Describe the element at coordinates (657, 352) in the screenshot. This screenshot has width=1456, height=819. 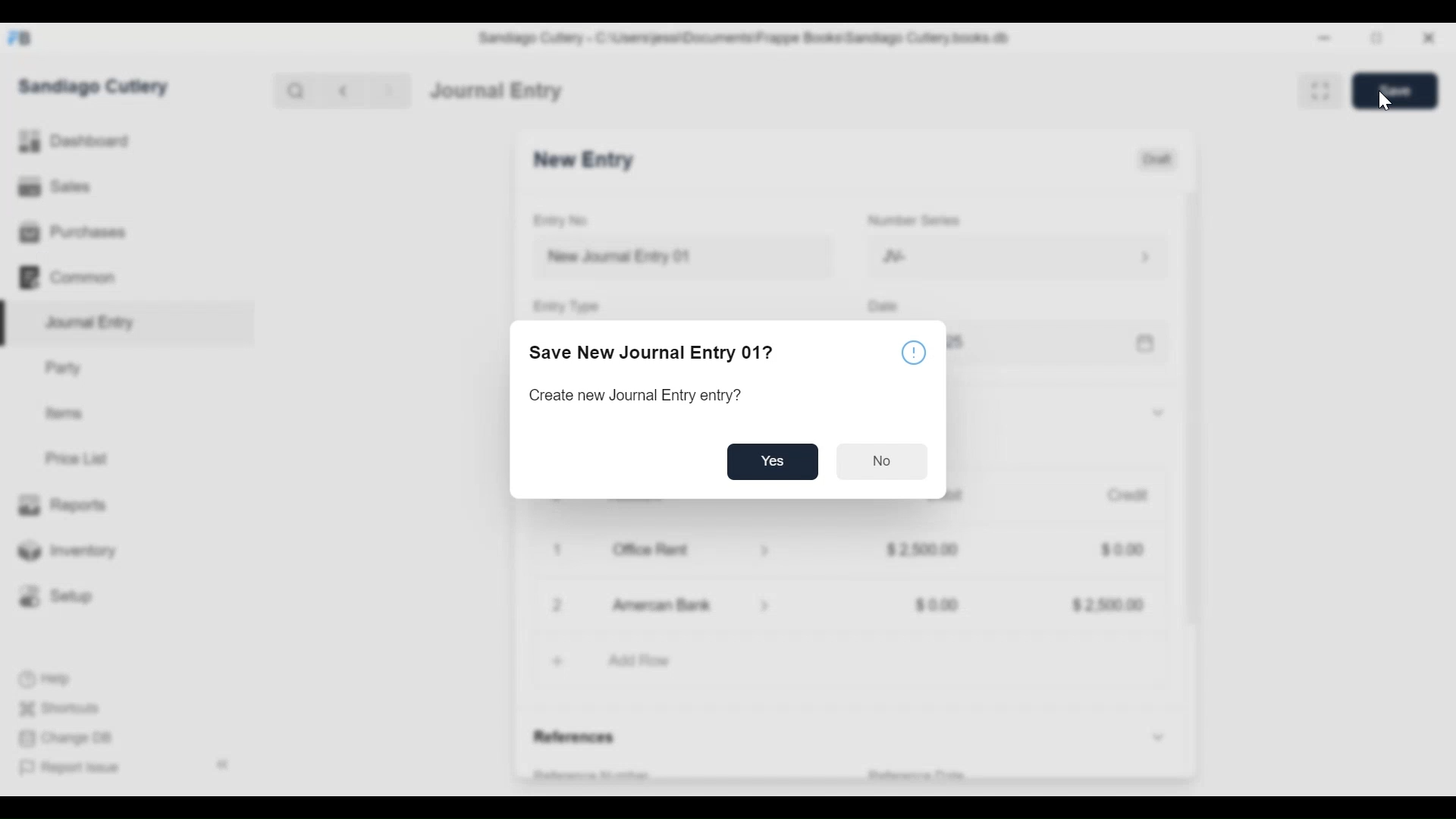
I see `Save New Journal Entry 01?` at that location.